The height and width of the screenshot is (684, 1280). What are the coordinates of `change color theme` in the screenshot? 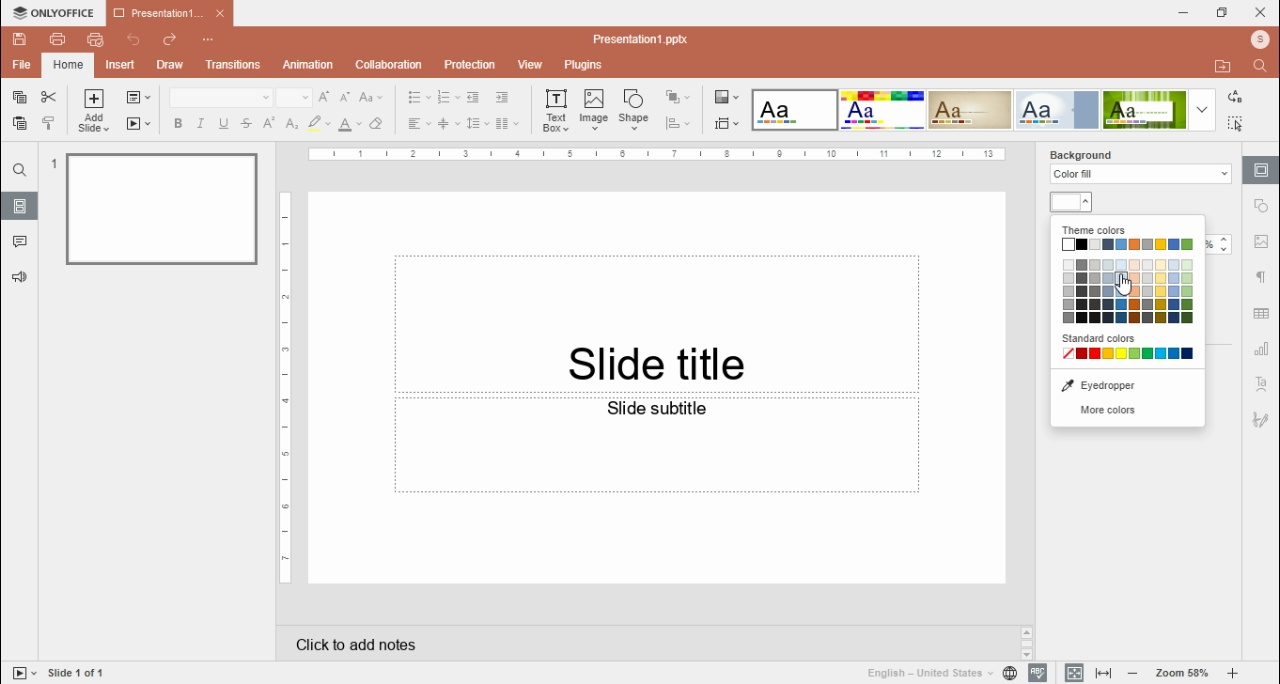 It's located at (726, 97).